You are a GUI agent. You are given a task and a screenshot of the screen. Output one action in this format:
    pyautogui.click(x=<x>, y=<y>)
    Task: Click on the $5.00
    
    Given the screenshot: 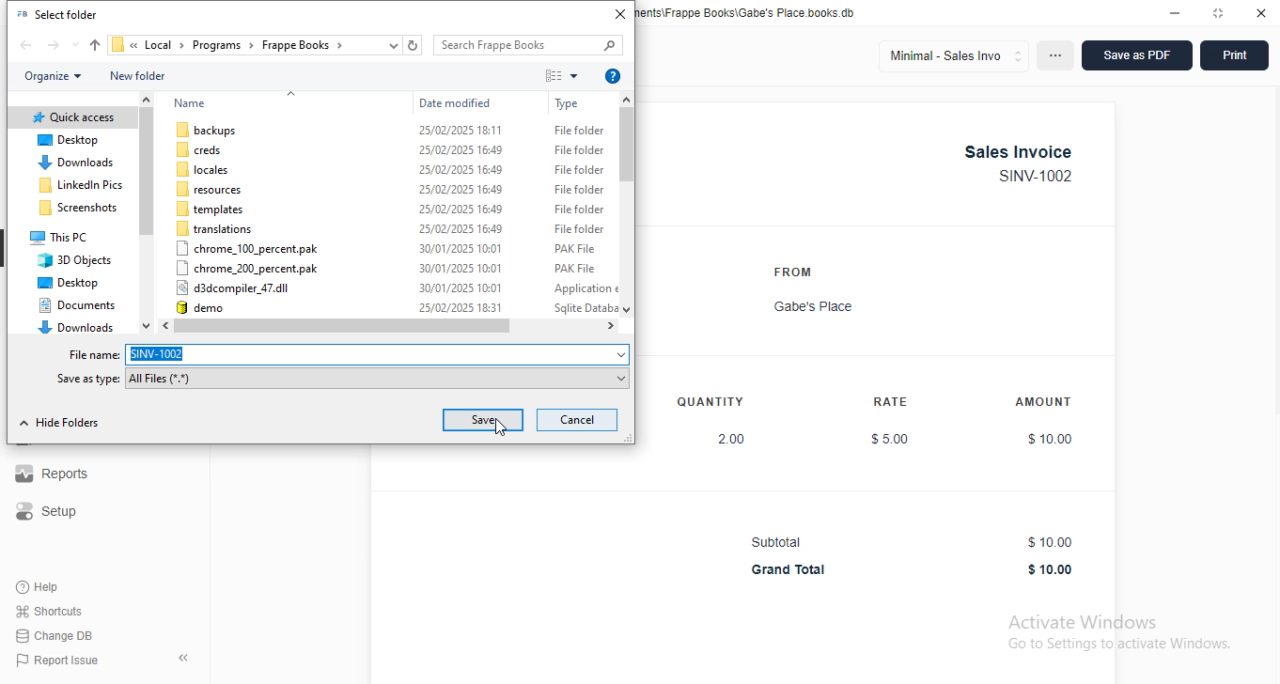 What is the action you would take?
    pyautogui.click(x=891, y=439)
    